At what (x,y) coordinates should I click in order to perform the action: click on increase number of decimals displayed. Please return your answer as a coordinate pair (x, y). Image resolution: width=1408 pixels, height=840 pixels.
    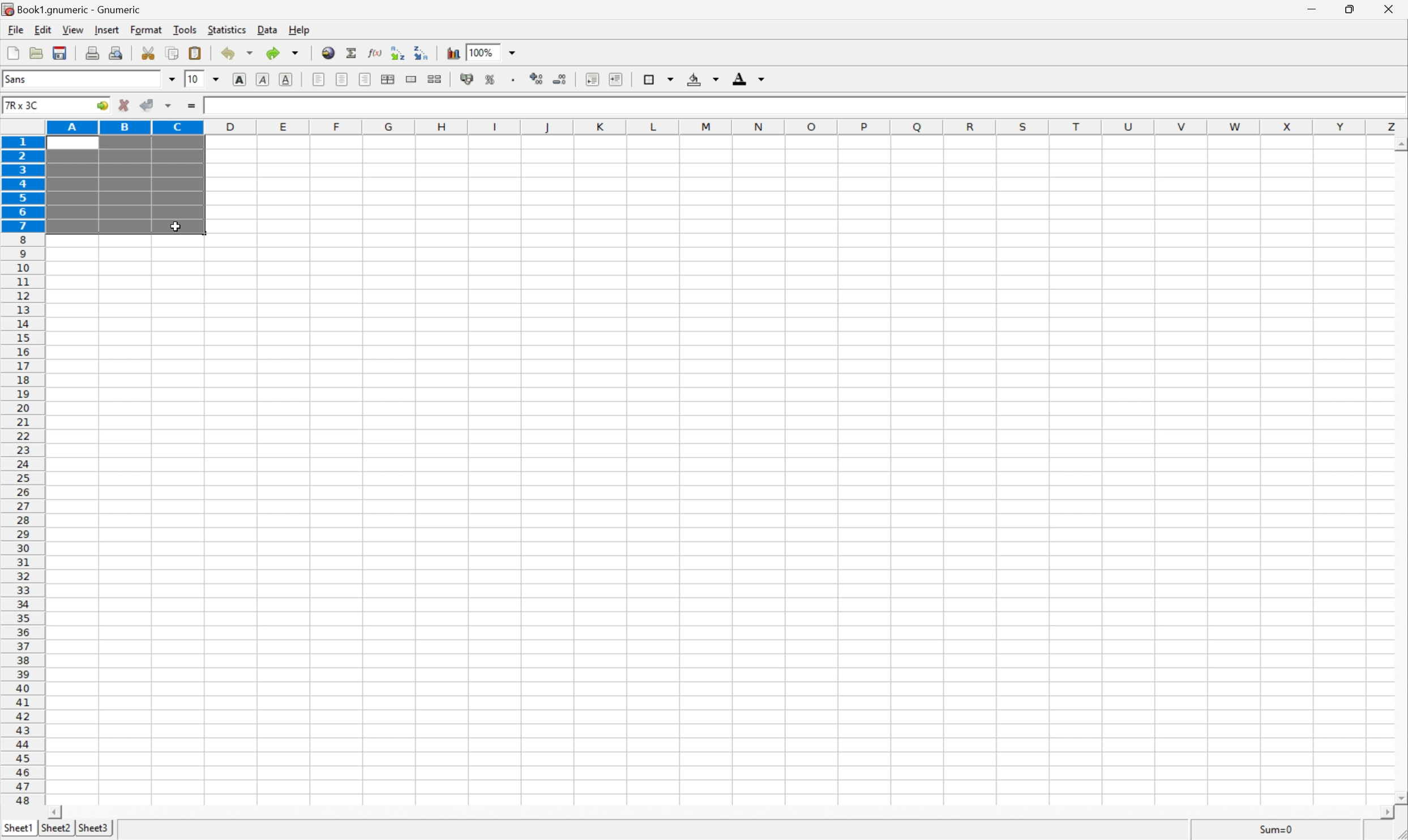
    Looking at the image, I should click on (538, 79).